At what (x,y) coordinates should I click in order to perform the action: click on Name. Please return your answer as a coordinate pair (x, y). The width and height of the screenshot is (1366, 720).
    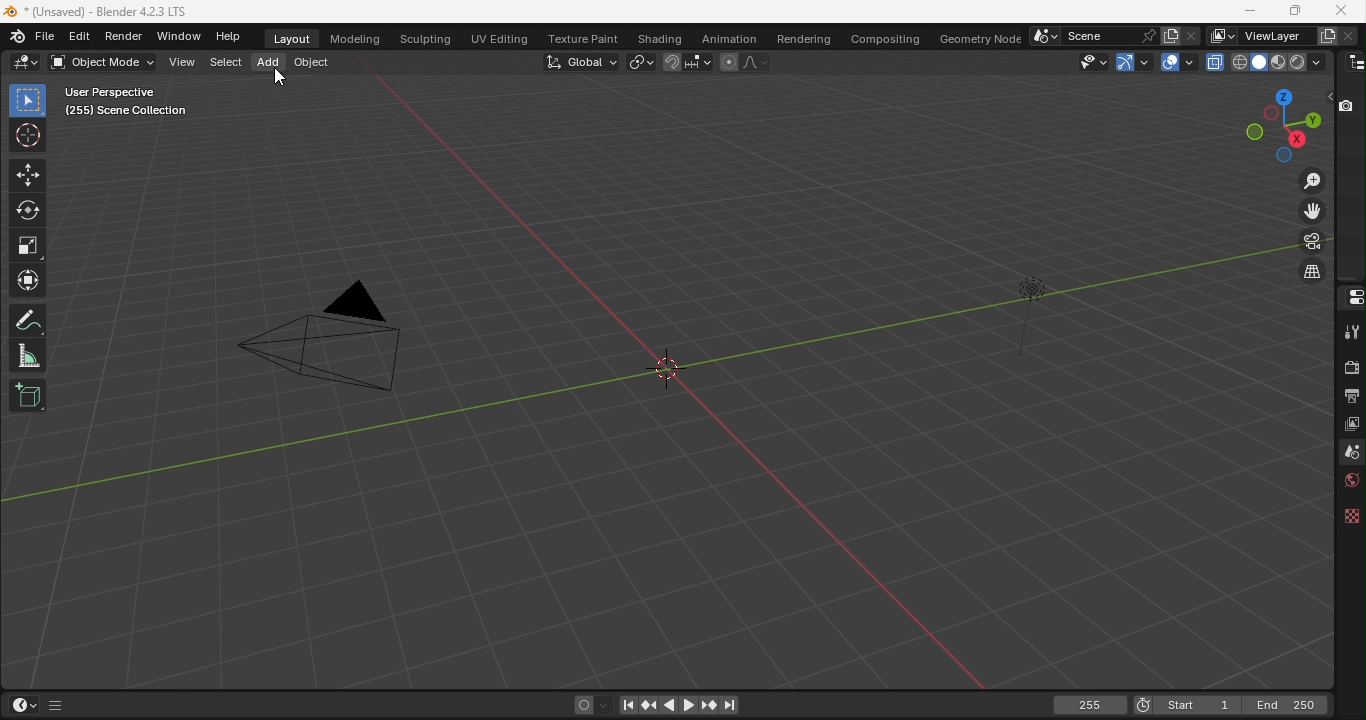
    Looking at the image, I should click on (1097, 36).